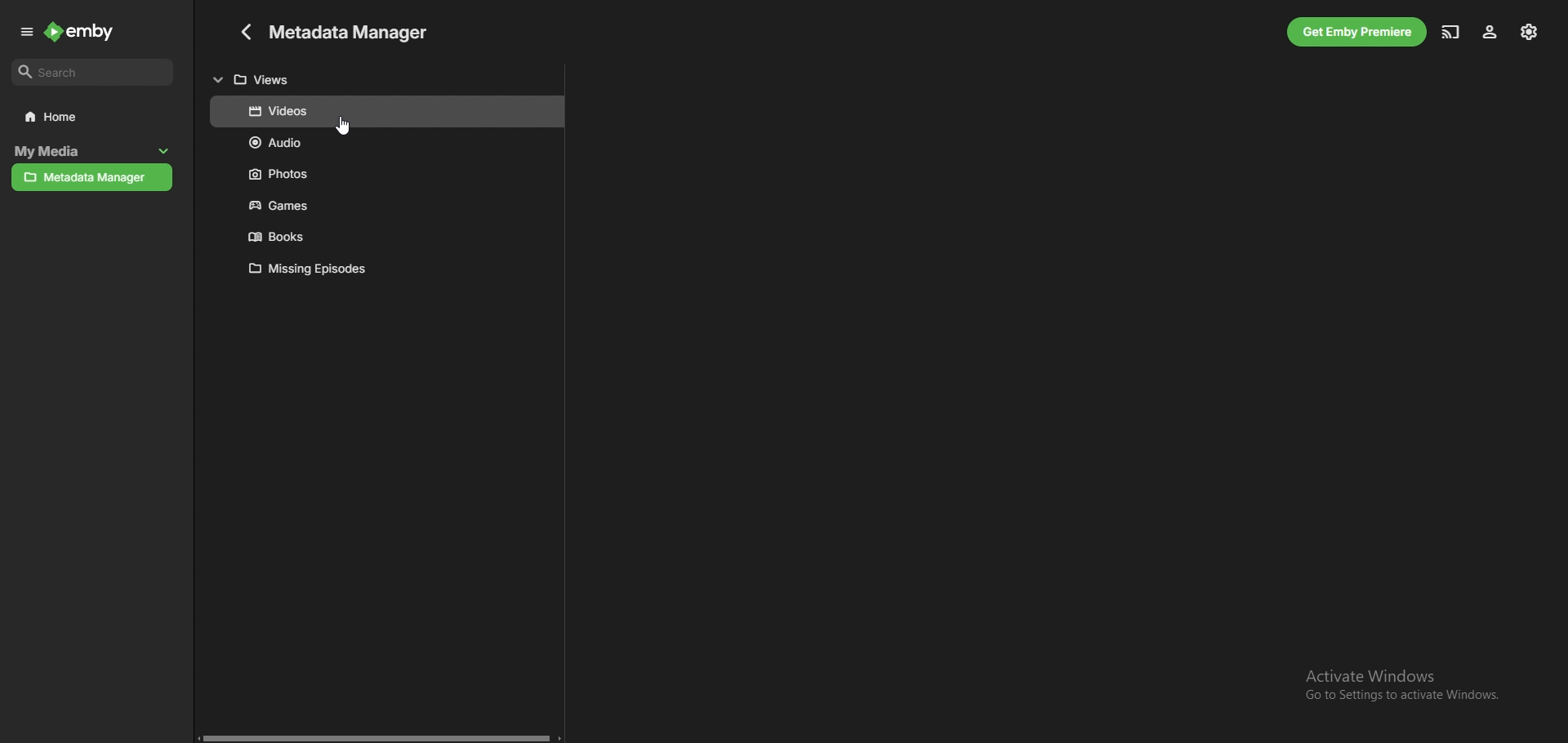 The image size is (1568, 743). Describe the element at coordinates (1530, 32) in the screenshot. I see `settings` at that location.